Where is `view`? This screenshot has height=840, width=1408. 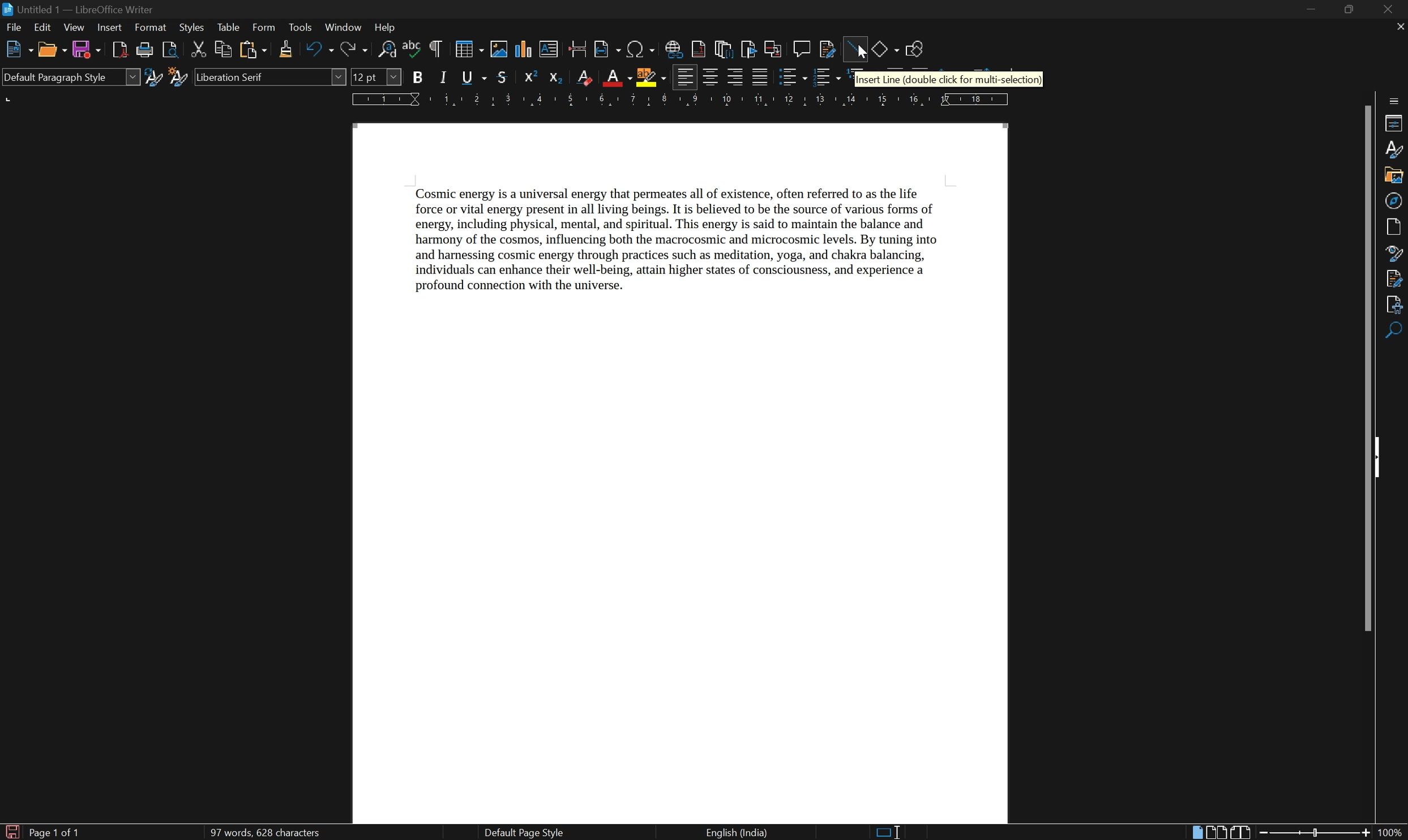
view is located at coordinates (74, 28).